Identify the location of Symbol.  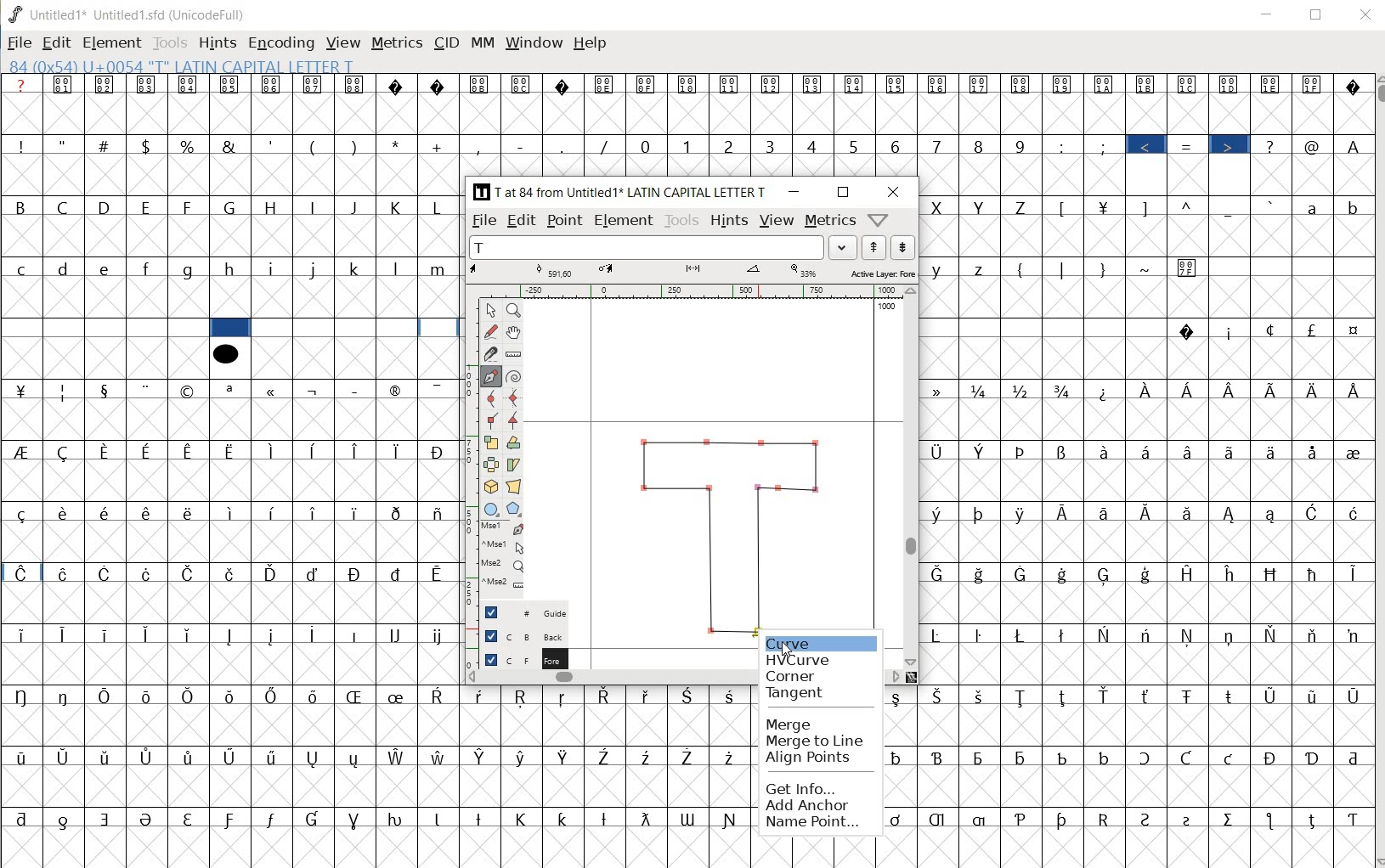
(274, 758).